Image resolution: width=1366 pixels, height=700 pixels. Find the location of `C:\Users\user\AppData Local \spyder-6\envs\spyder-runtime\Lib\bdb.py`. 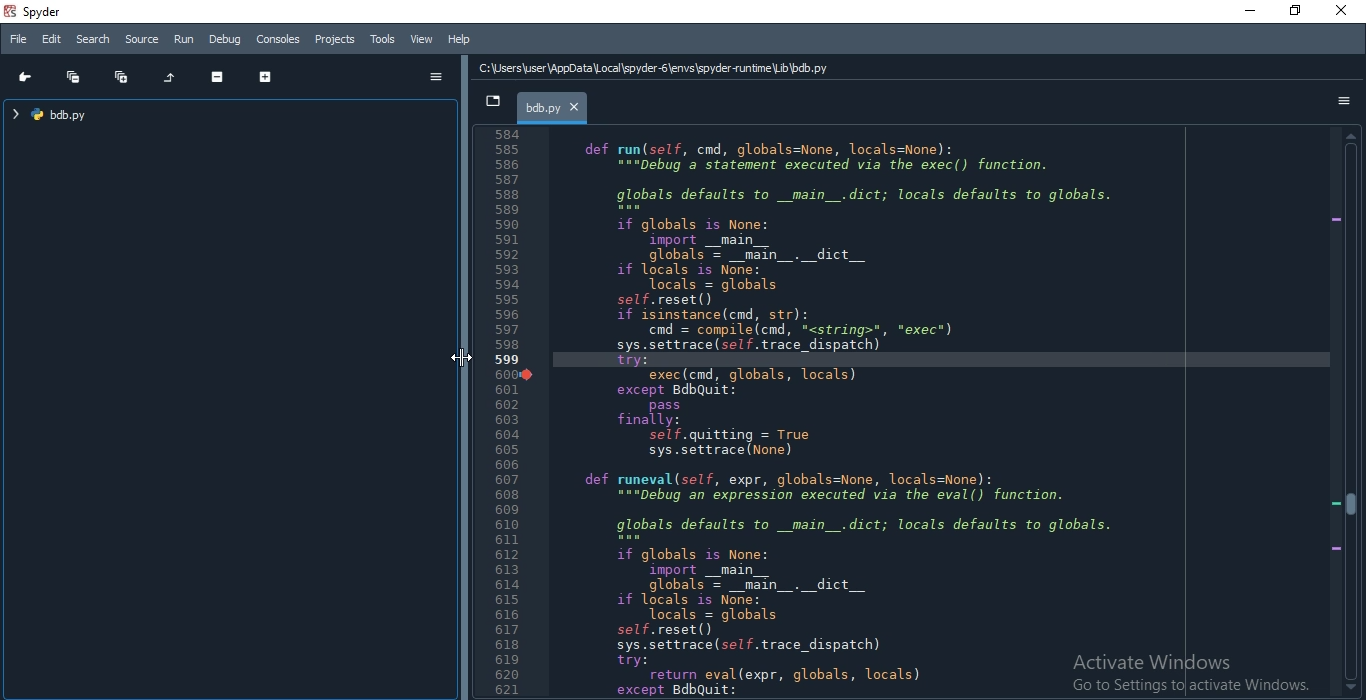

C:\Users\user\AppData Local \spyder-6\envs\spyder-runtime\Lib\bdb.py is located at coordinates (653, 67).